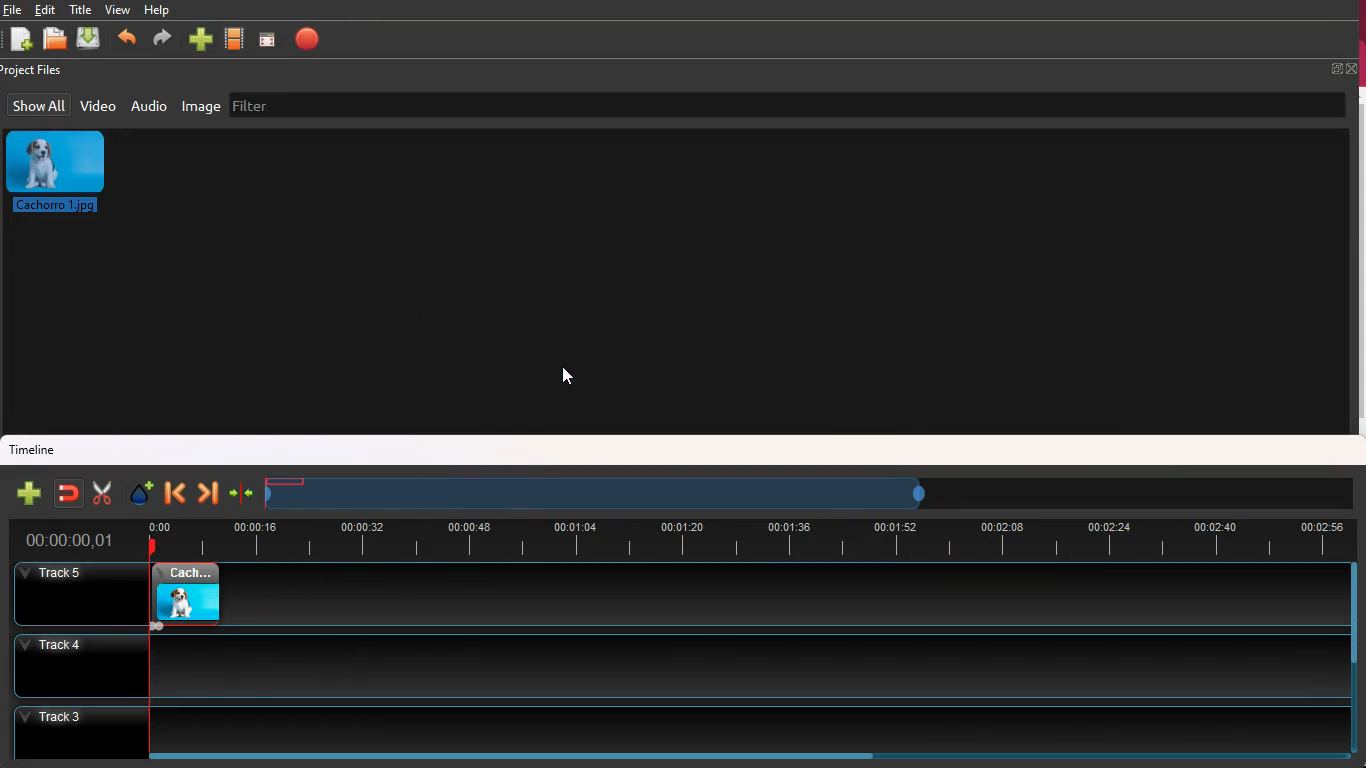  Describe the element at coordinates (12, 9) in the screenshot. I see `file` at that location.